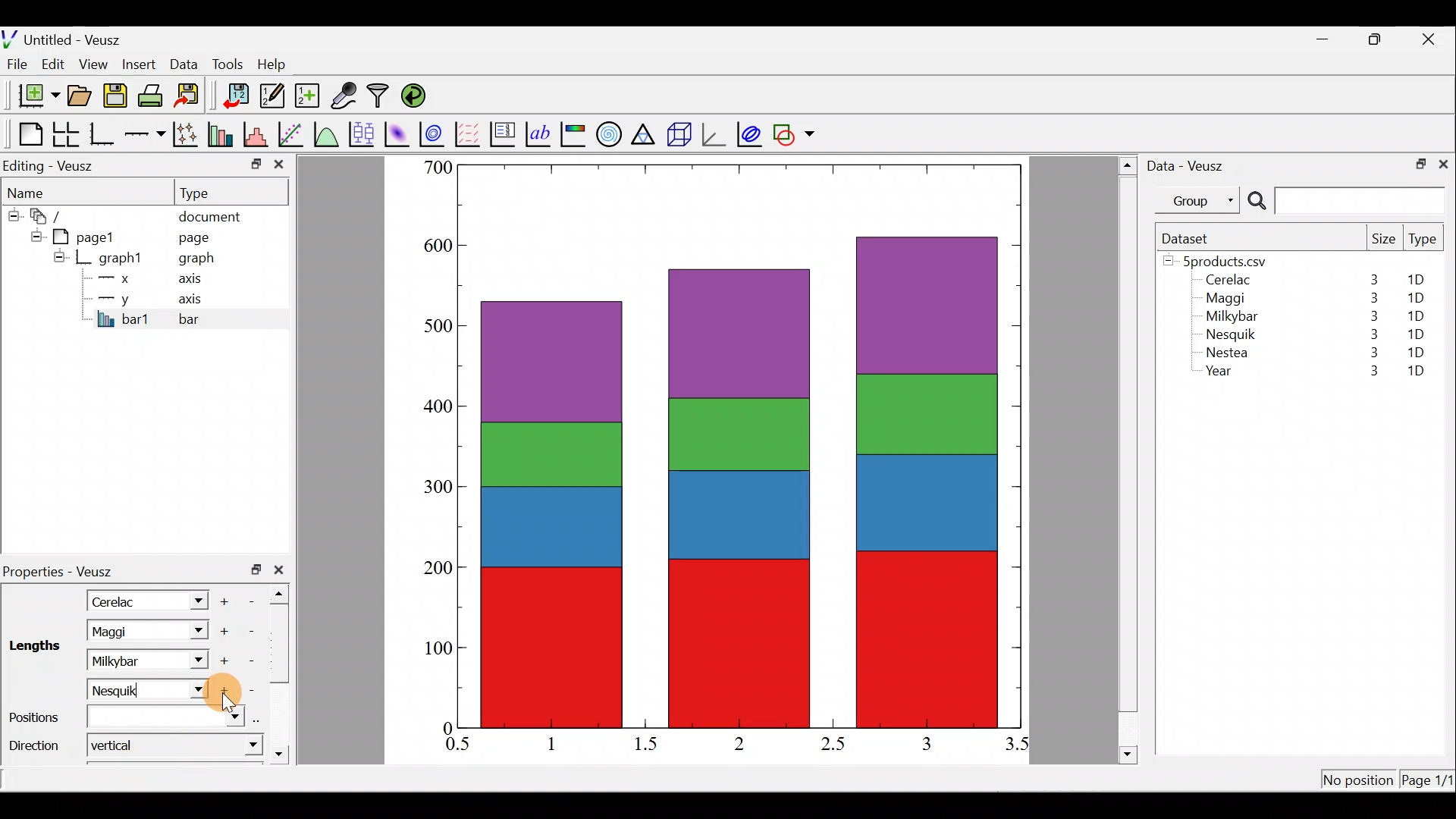  I want to click on Capture remote data, so click(345, 96).